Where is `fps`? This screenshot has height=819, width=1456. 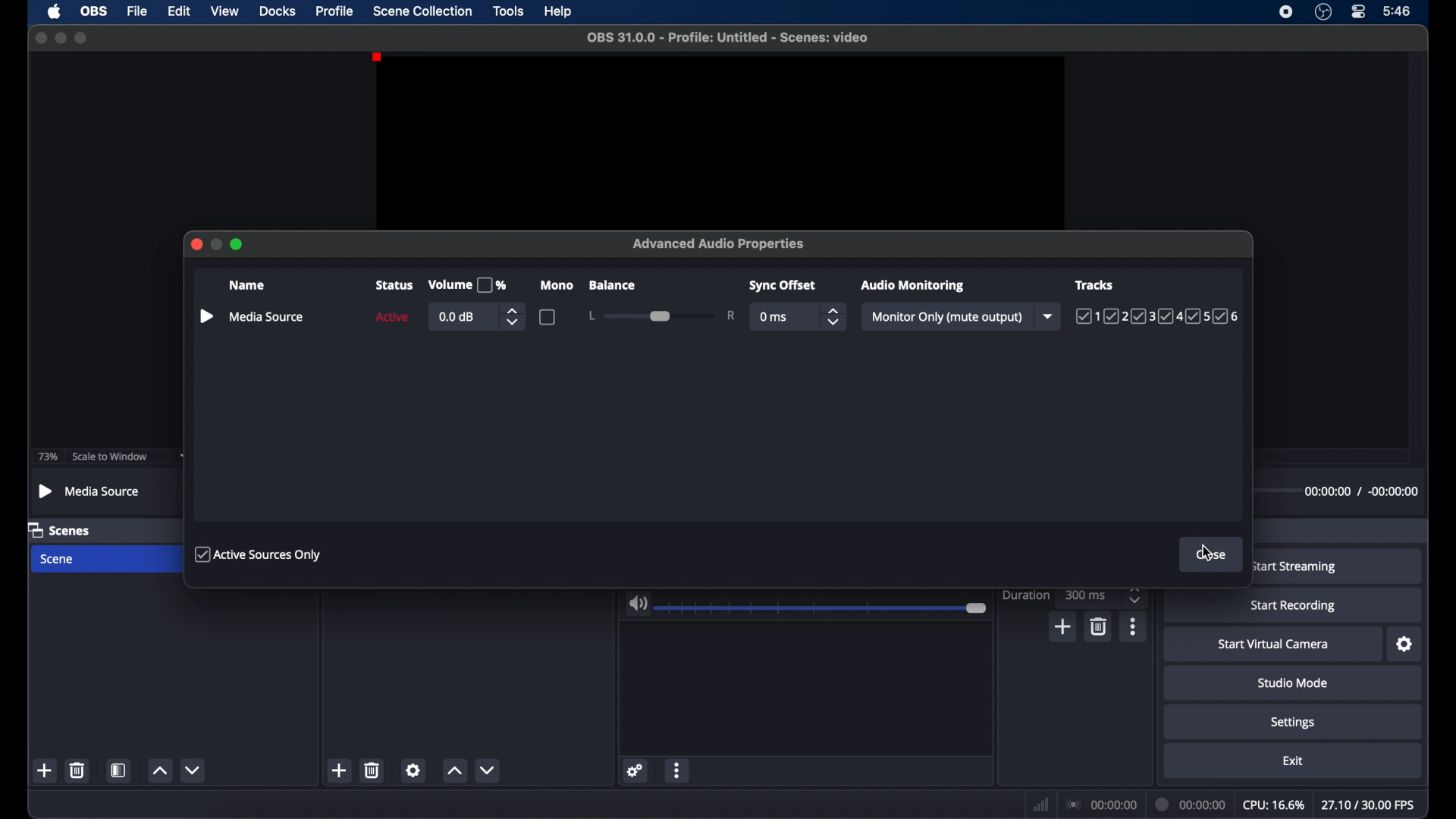 fps is located at coordinates (1370, 805).